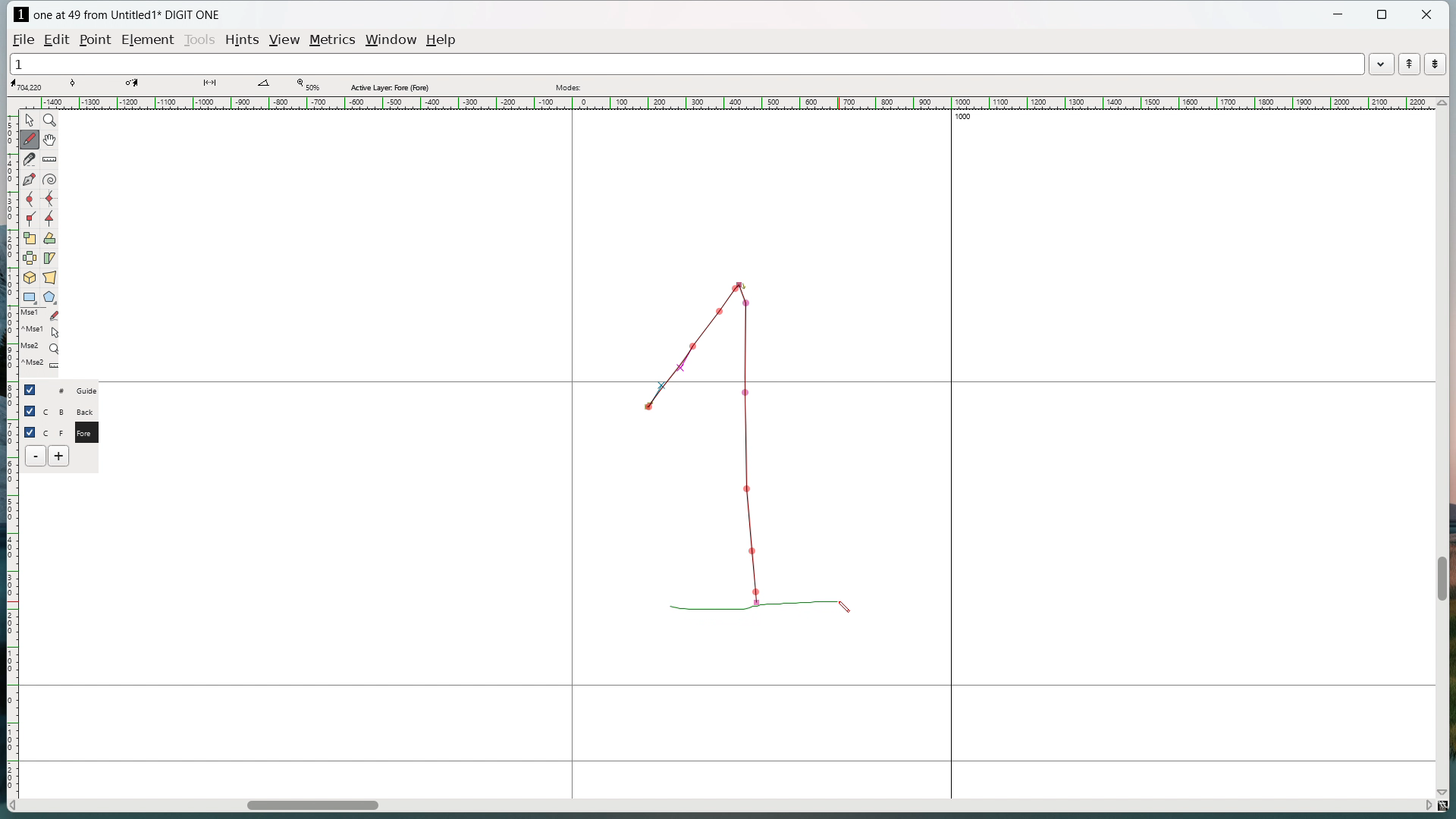 This screenshot has width=1456, height=819. I want to click on skew selection, so click(50, 258).